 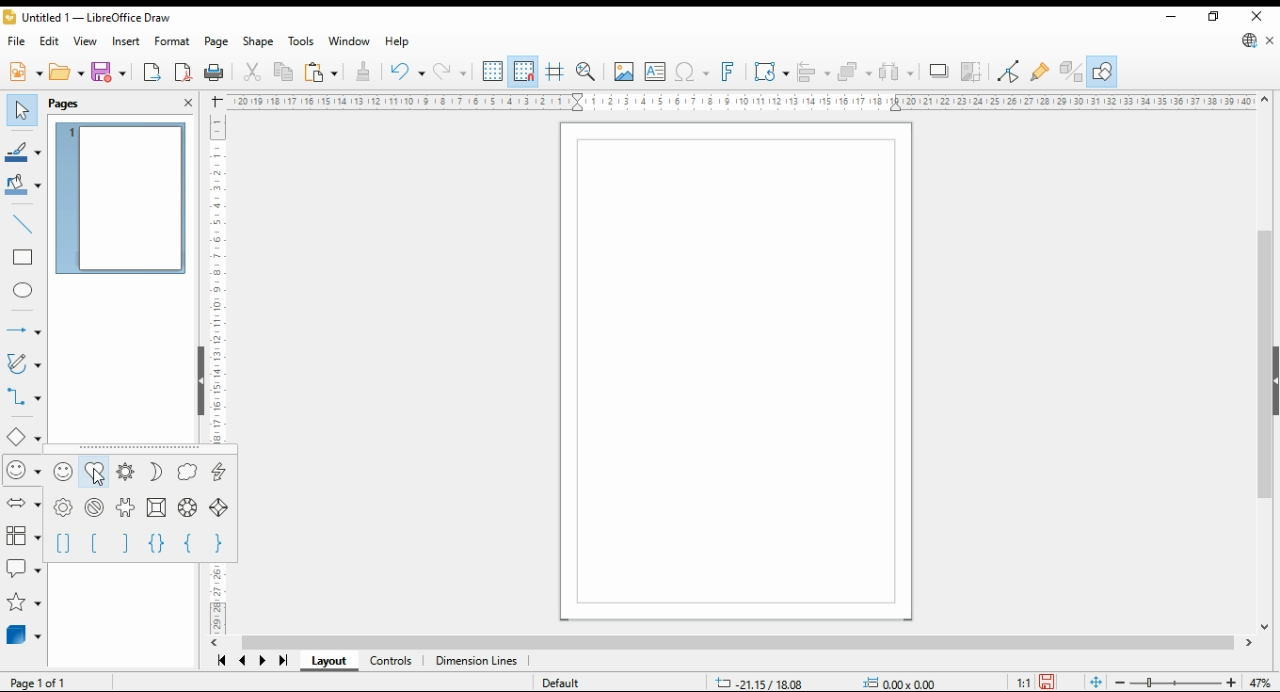 What do you see at coordinates (364, 71) in the screenshot?
I see `close formatting` at bounding box center [364, 71].